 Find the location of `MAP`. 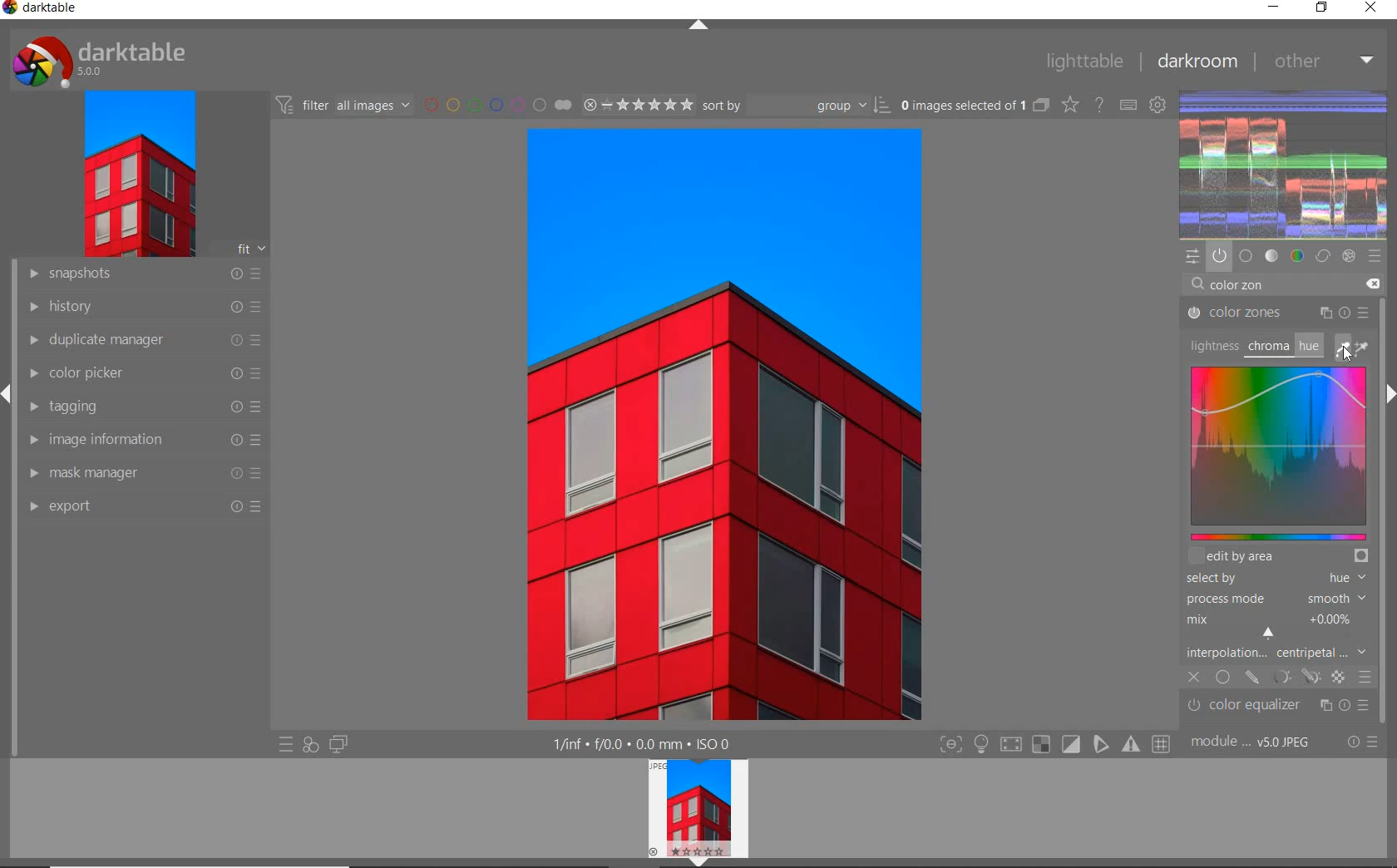

MAP is located at coordinates (1277, 455).